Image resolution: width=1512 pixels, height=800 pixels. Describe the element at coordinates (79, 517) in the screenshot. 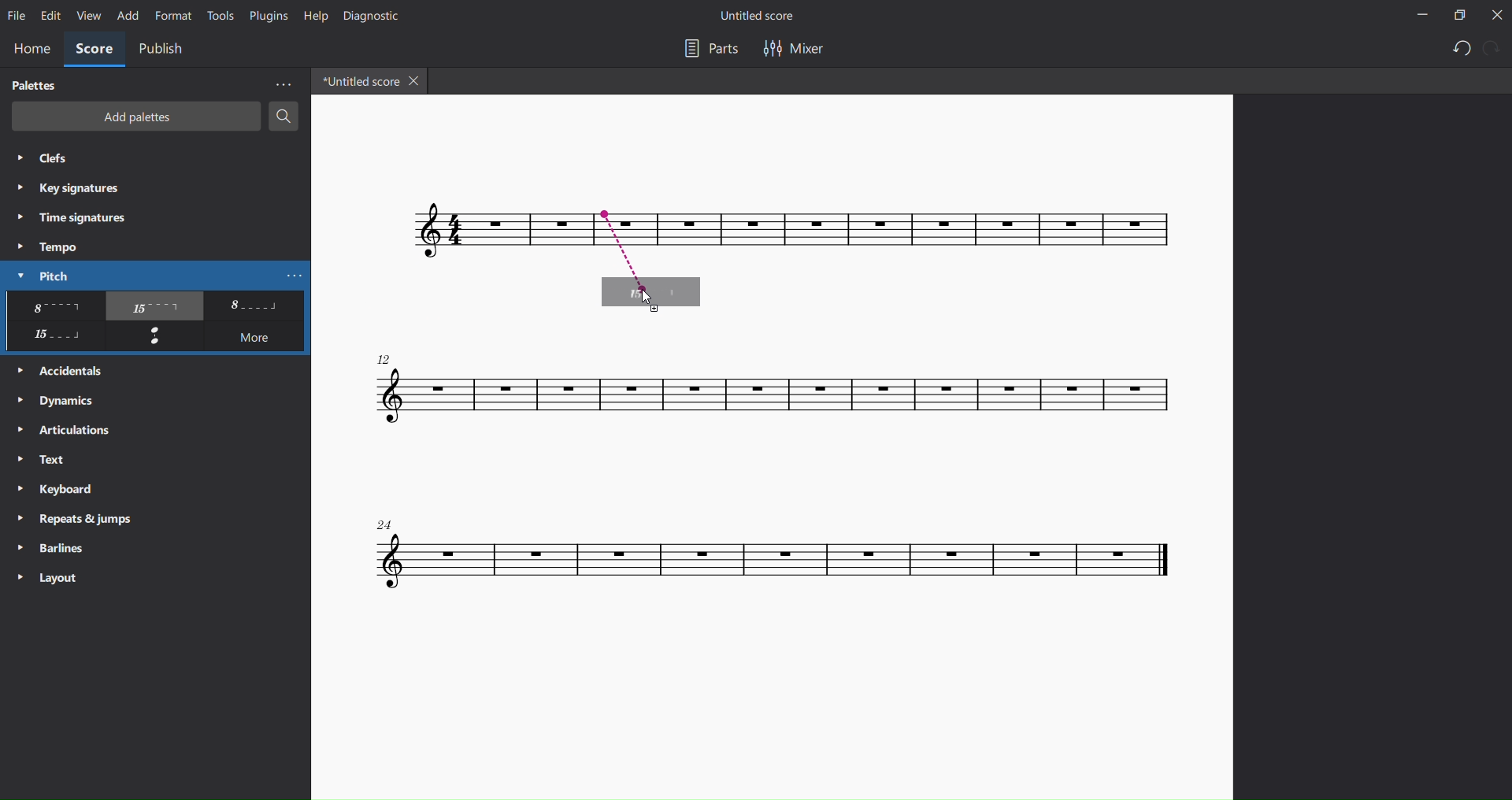

I see `reports and jump` at that location.